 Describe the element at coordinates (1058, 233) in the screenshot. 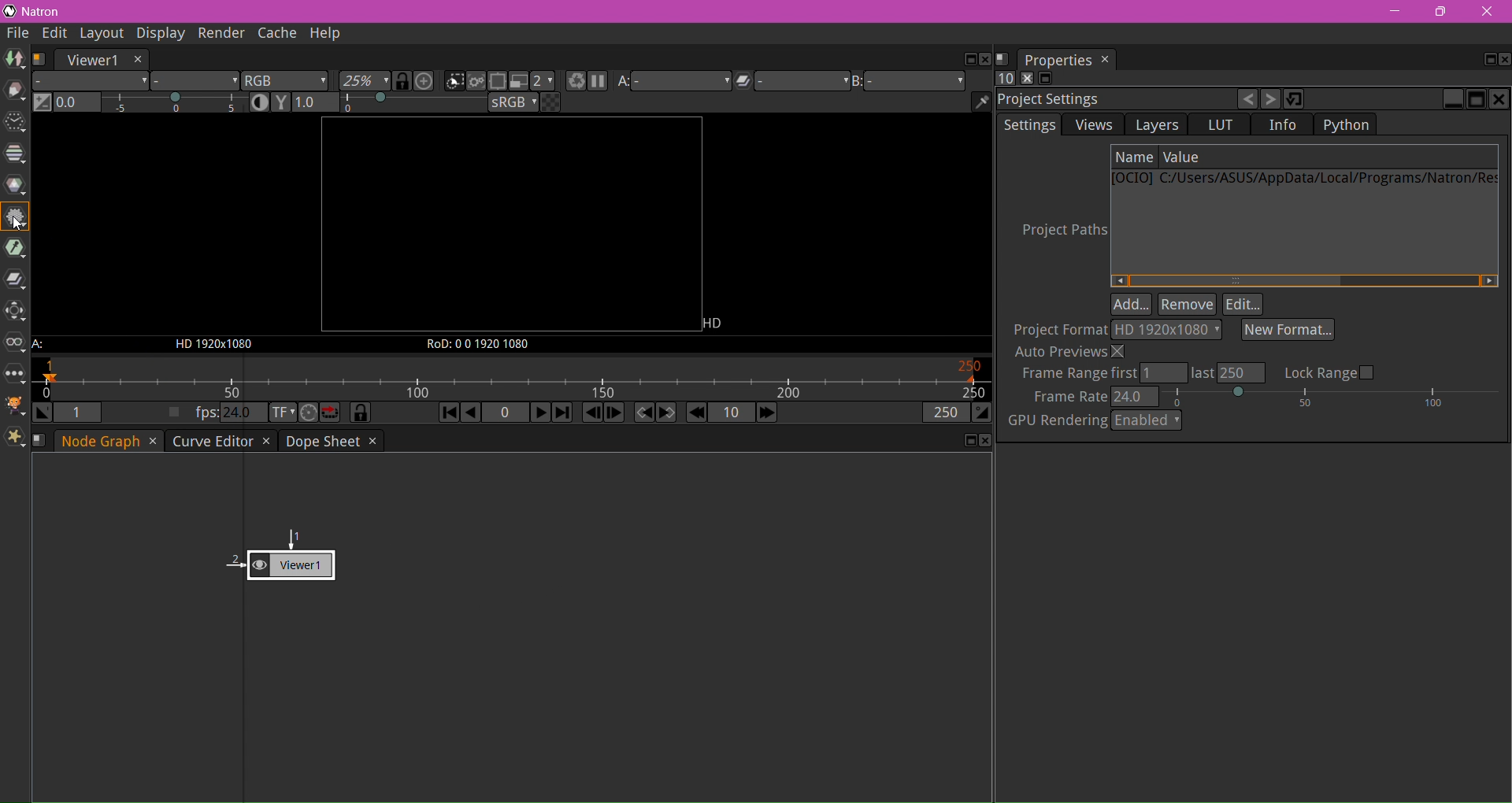

I see `Project Paths` at that location.